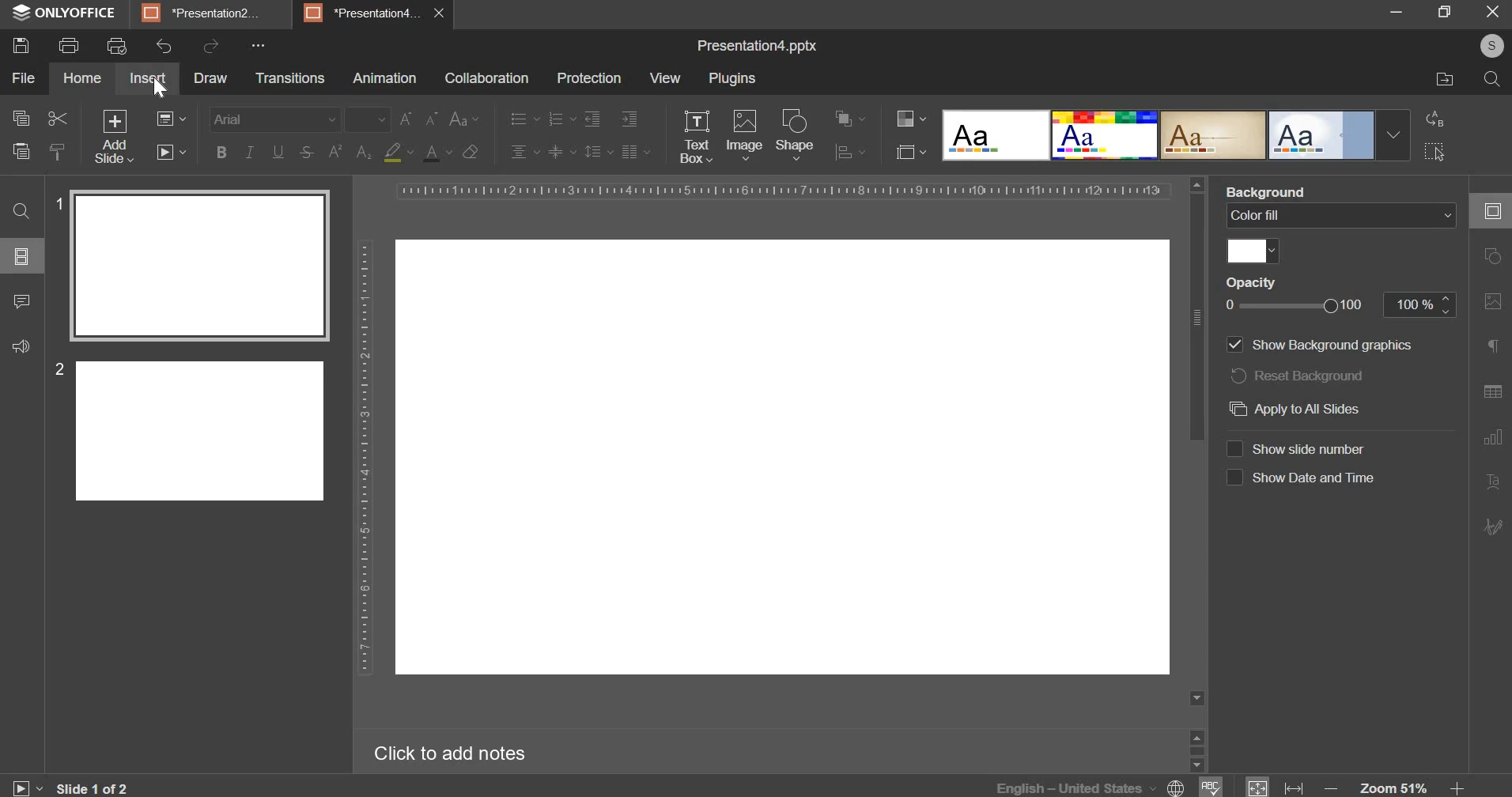 The width and height of the screenshot is (1512, 797). What do you see at coordinates (21, 46) in the screenshot?
I see `save` at bounding box center [21, 46].